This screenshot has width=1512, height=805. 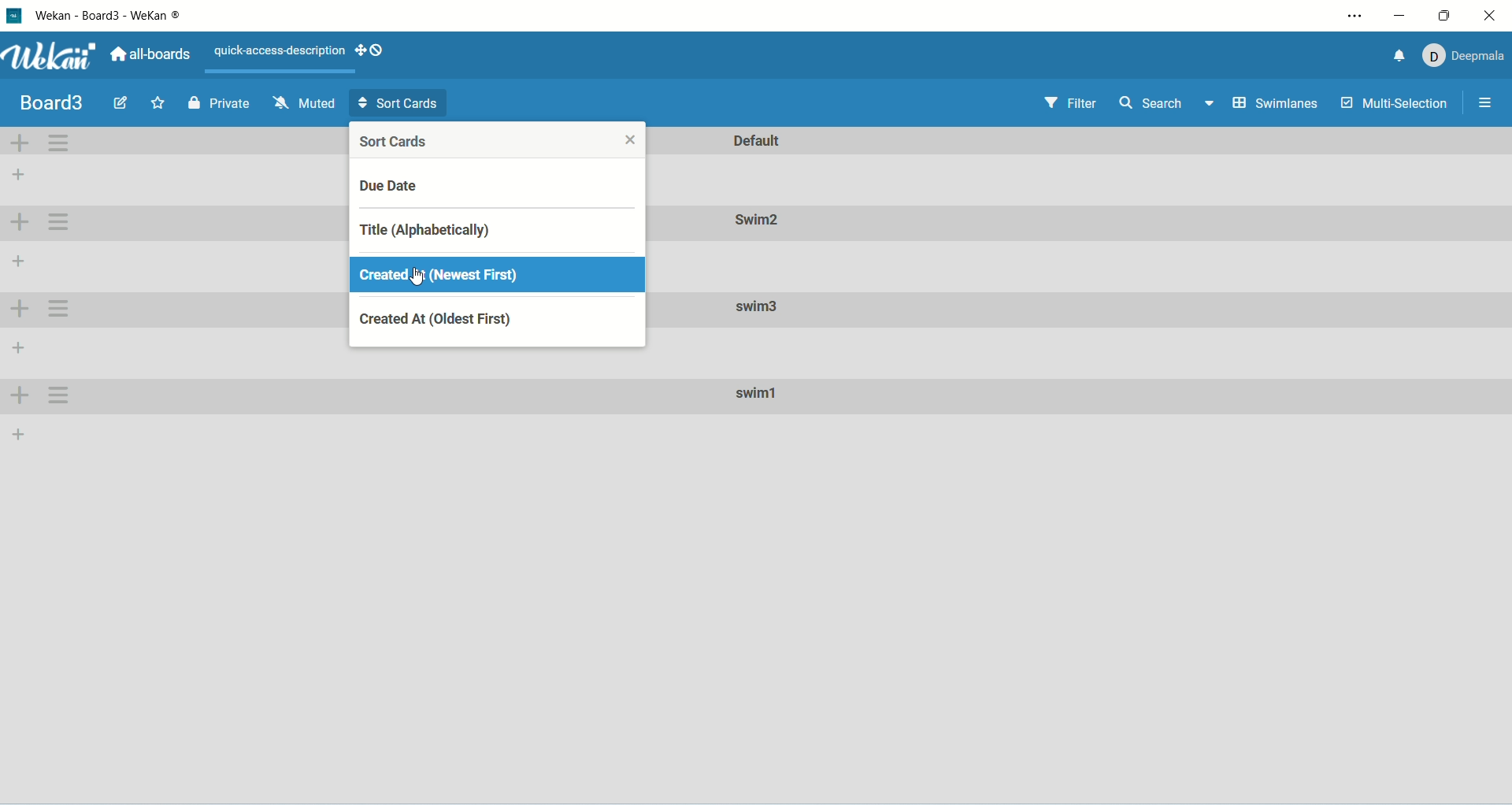 What do you see at coordinates (399, 105) in the screenshot?
I see `sort card` at bounding box center [399, 105].